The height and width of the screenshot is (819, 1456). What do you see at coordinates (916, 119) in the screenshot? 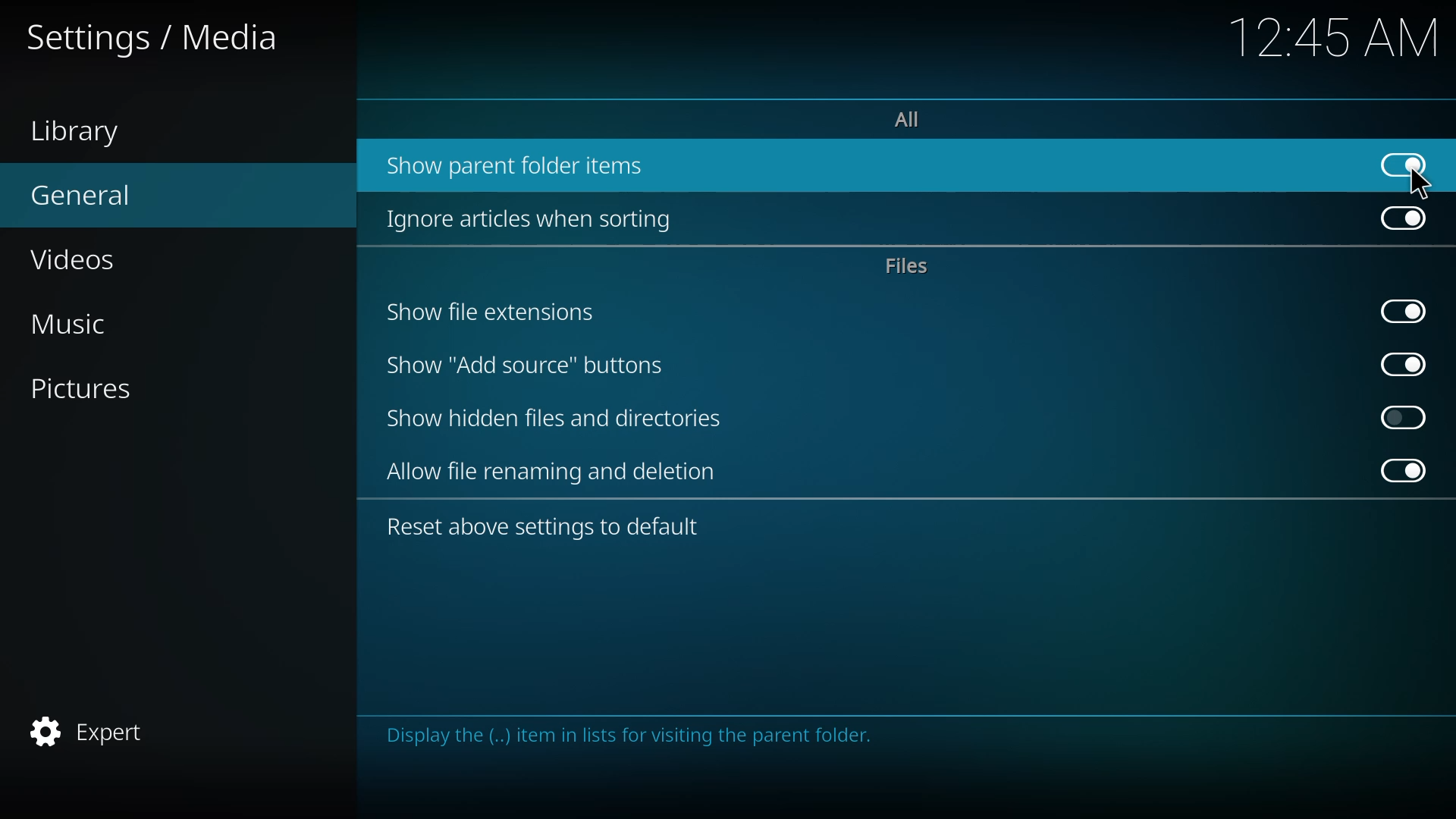
I see `all` at bounding box center [916, 119].